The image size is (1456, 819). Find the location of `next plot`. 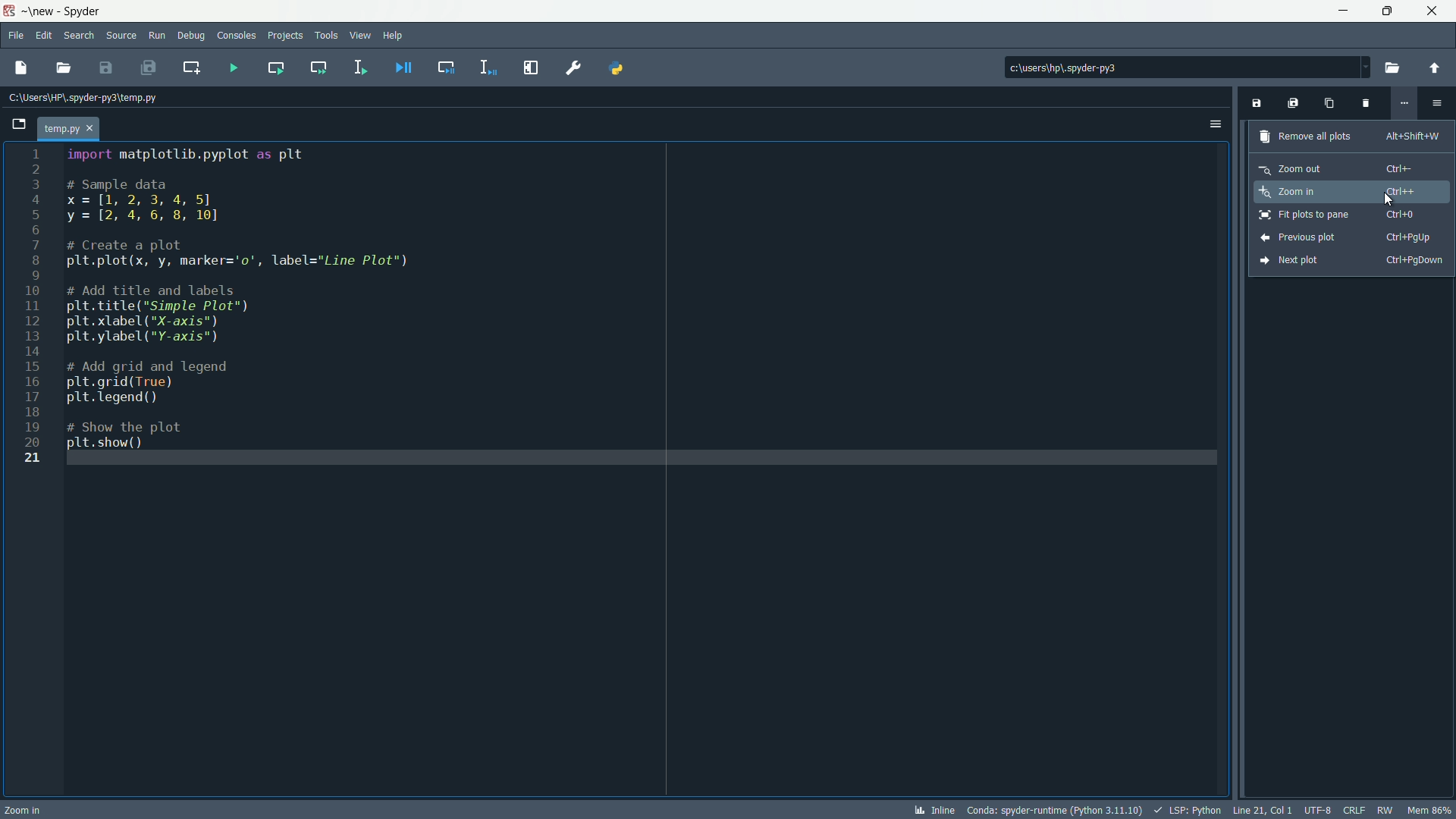

next plot is located at coordinates (1350, 261).